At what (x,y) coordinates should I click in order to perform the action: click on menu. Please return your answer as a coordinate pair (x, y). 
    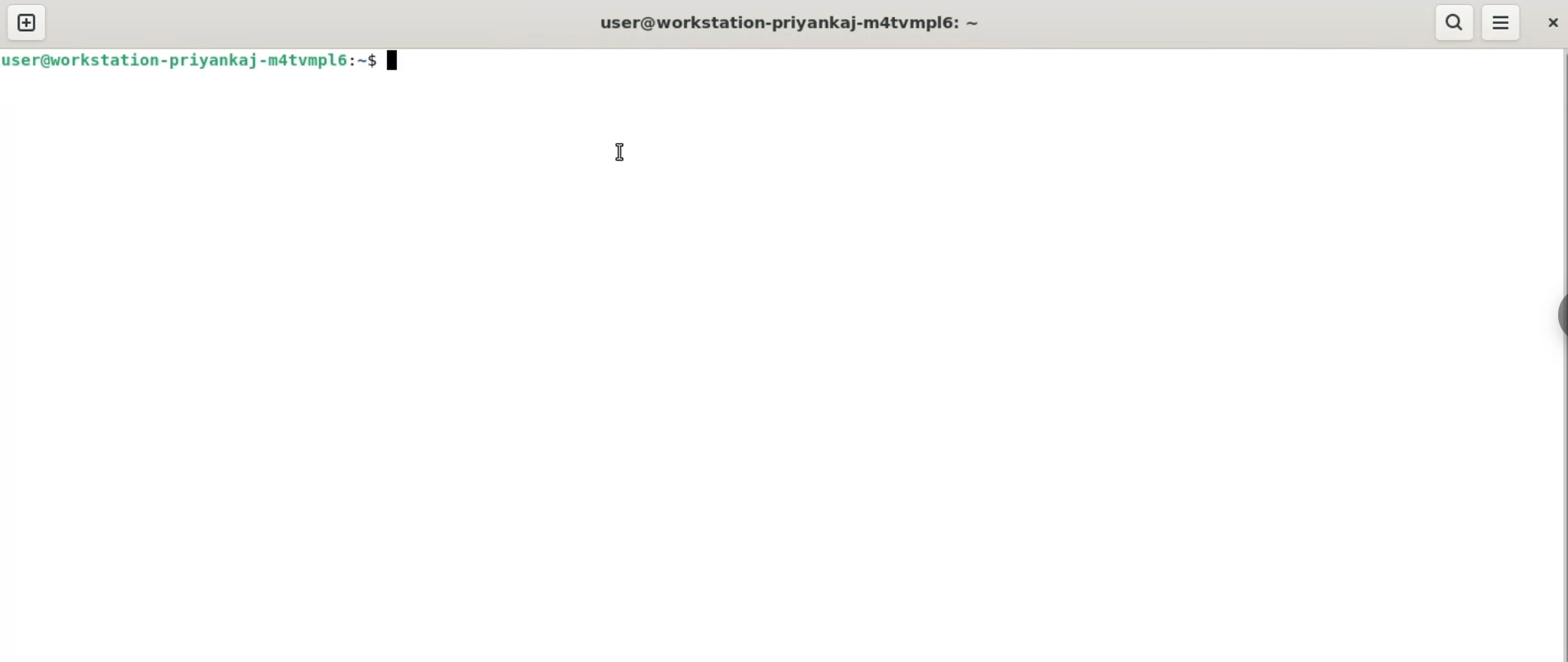
    Looking at the image, I should click on (1500, 22).